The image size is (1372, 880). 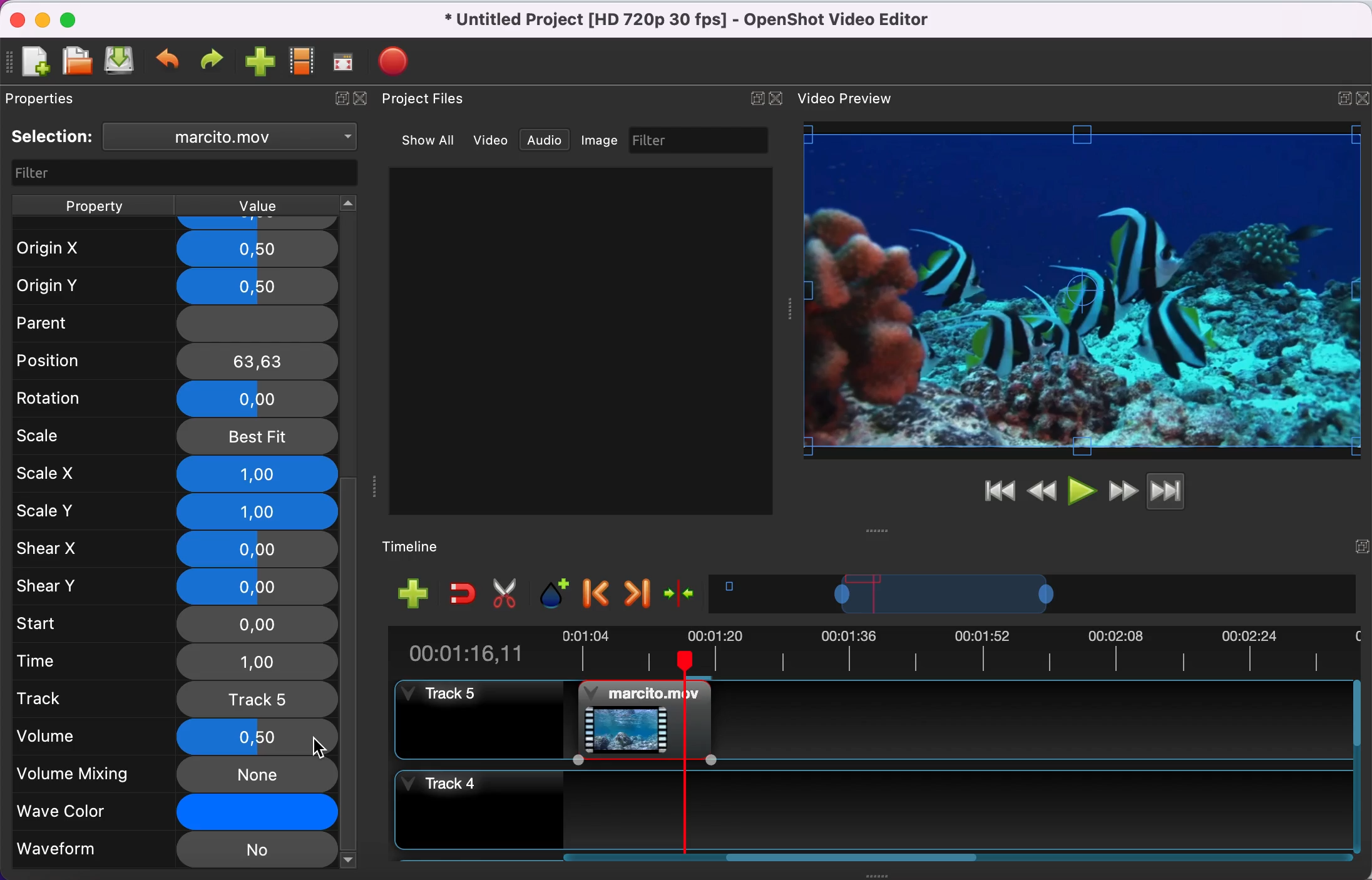 What do you see at coordinates (638, 716) in the screenshot?
I see `video clip` at bounding box center [638, 716].